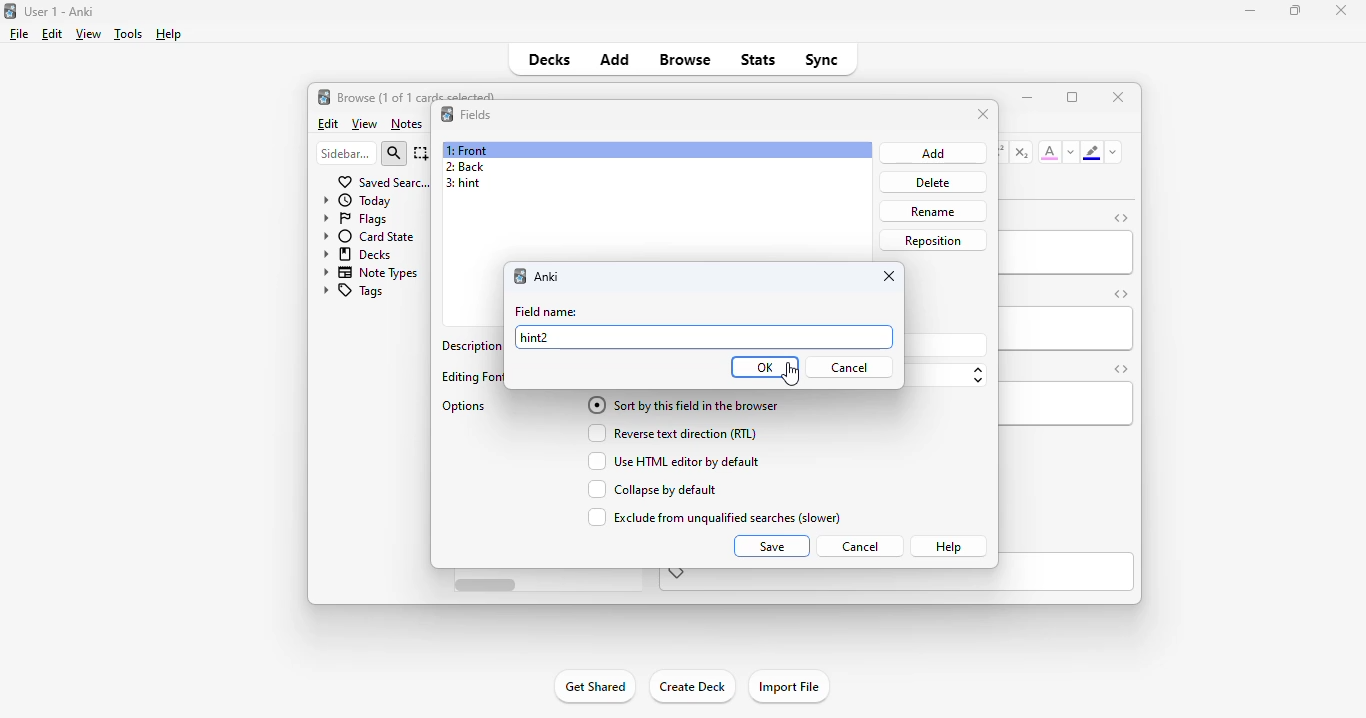  Describe the element at coordinates (1050, 151) in the screenshot. I see `text color` at that location.